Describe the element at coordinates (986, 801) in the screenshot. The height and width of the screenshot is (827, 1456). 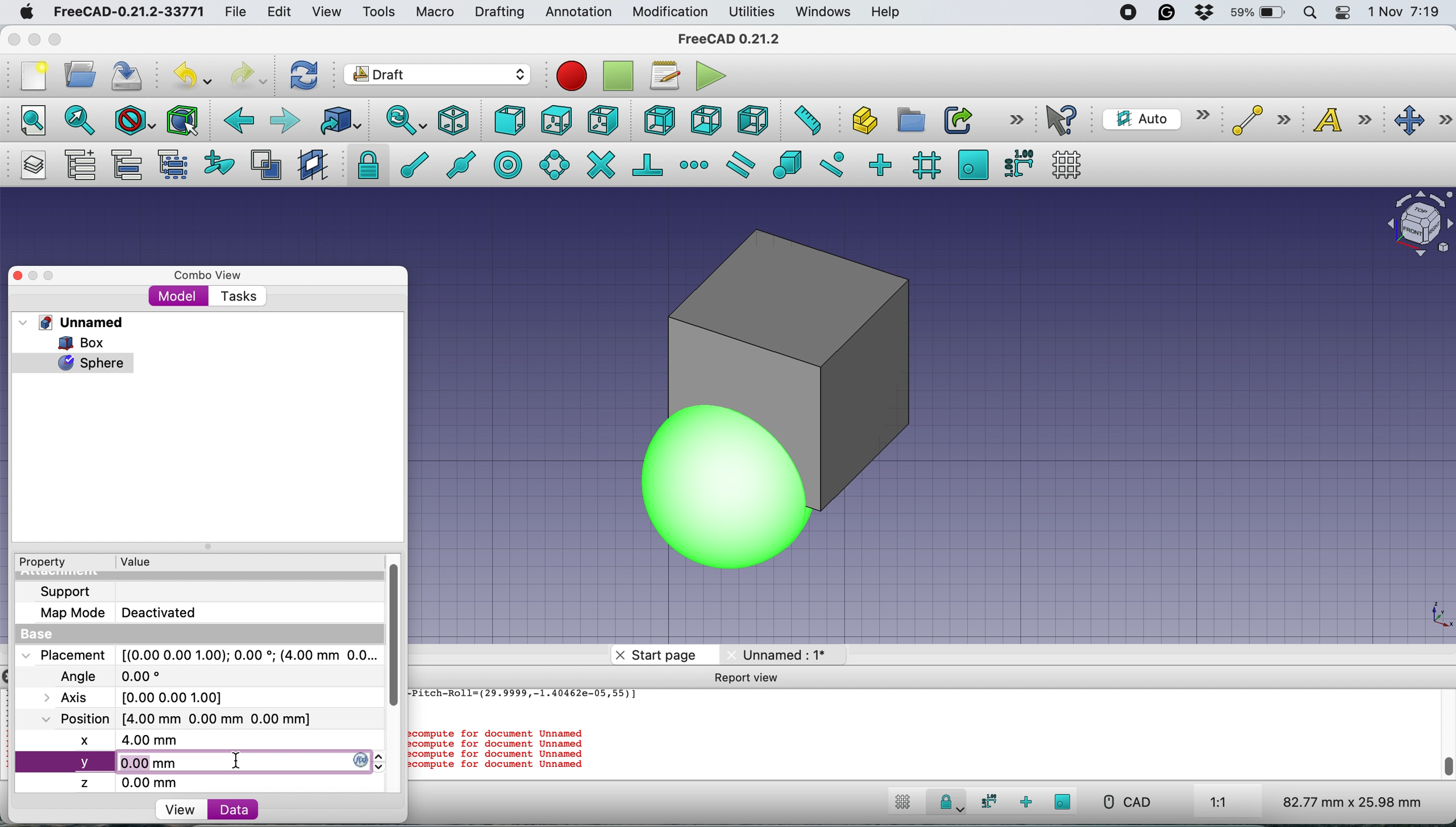
I see `snap dimensions` at that location.